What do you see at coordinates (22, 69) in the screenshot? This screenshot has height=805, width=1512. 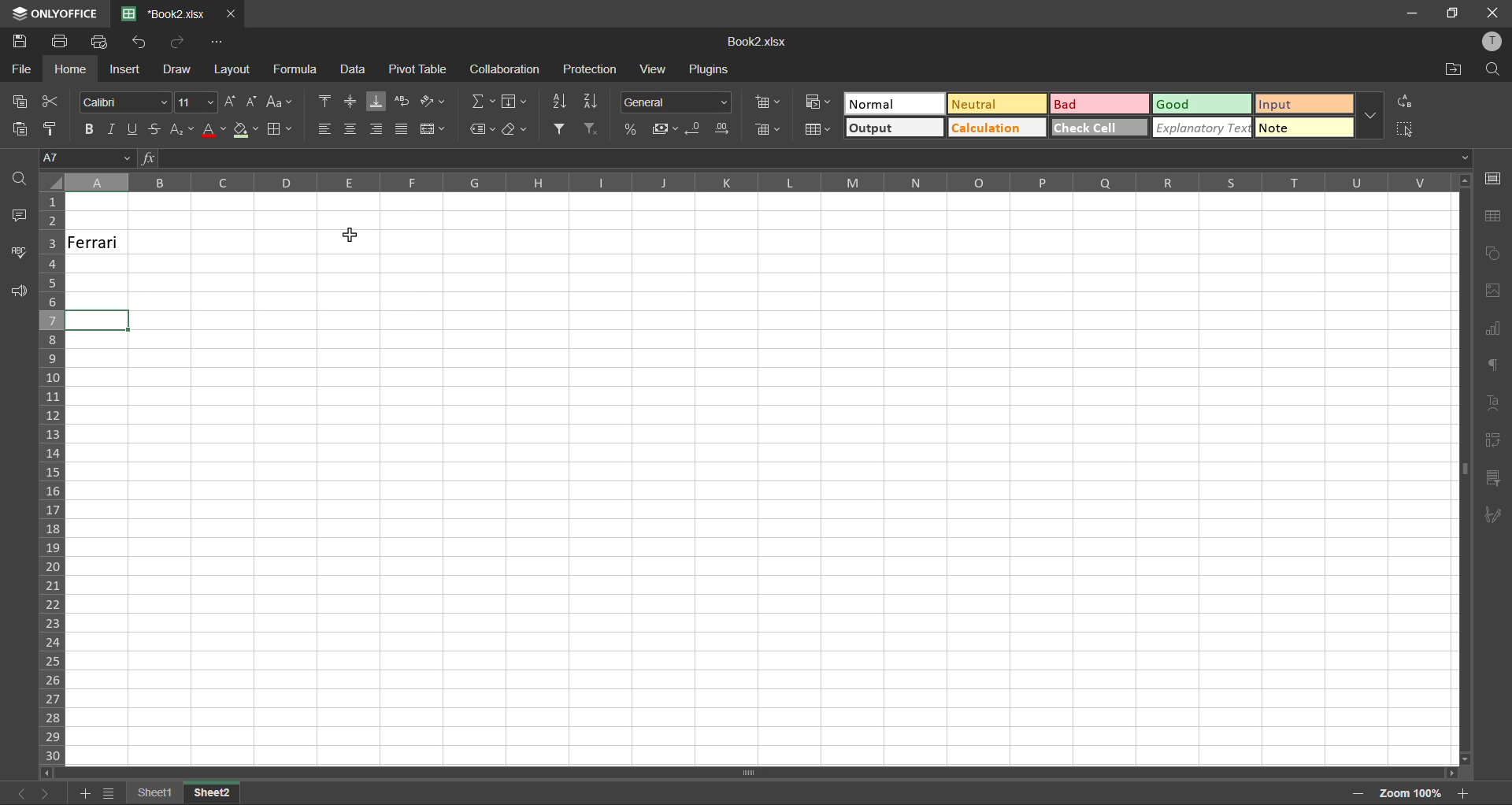 I see `file` at bounding box center [22, 69].